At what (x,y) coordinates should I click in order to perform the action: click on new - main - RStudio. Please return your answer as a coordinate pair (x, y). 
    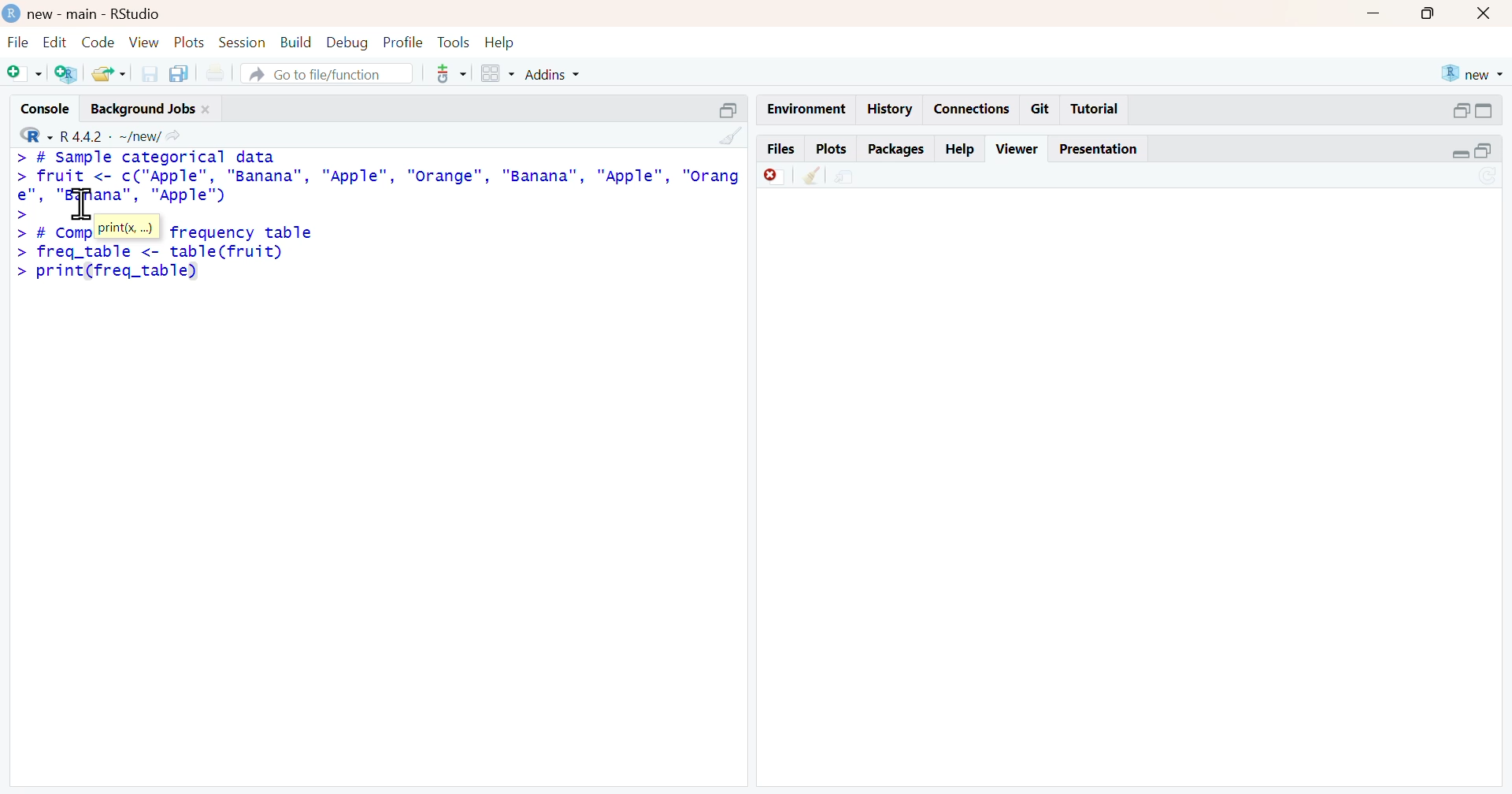
    Looking at the image, I should click on (83, 14).